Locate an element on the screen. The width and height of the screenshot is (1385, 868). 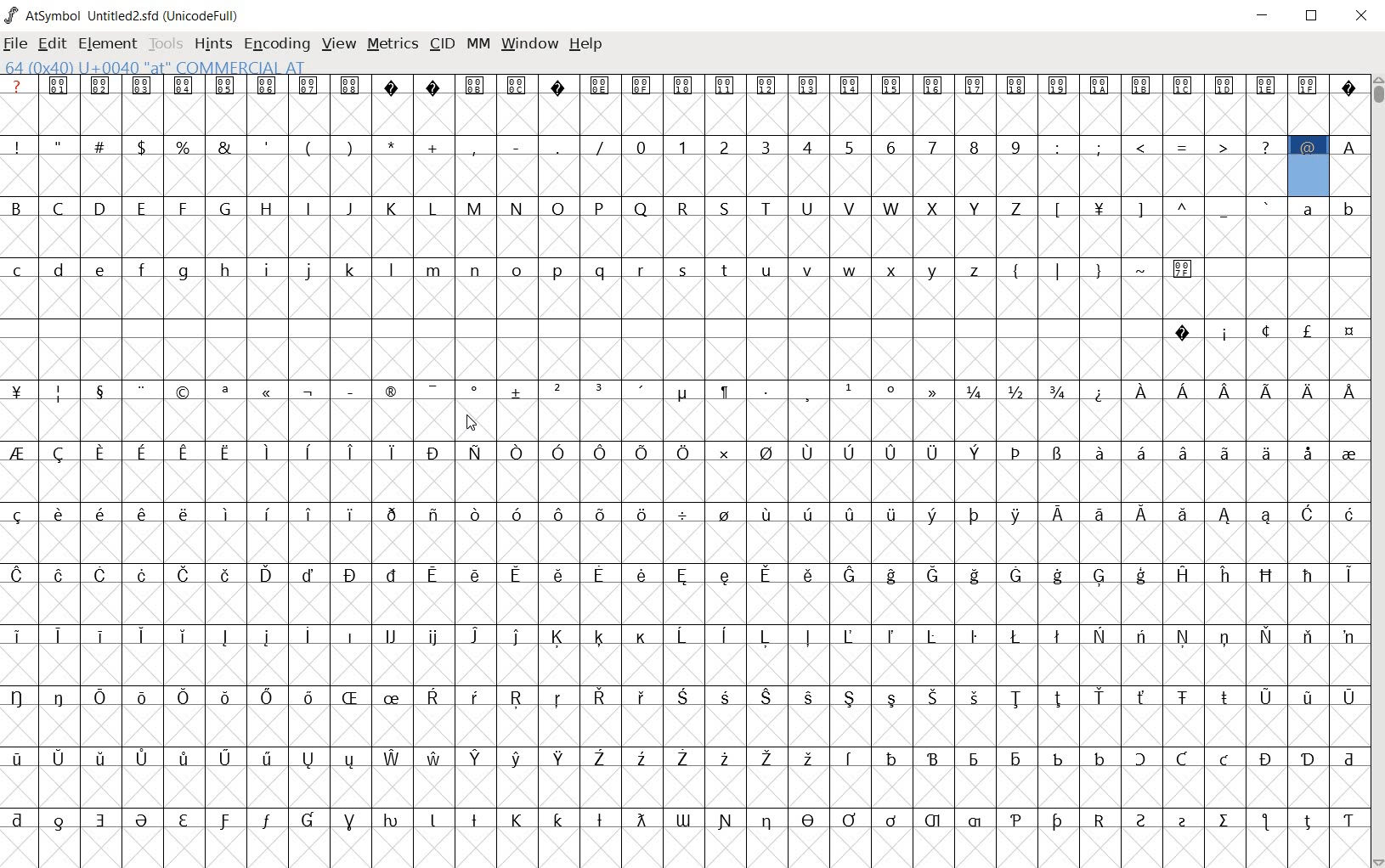
empty glyph slots is located at coordinates (681, 301).